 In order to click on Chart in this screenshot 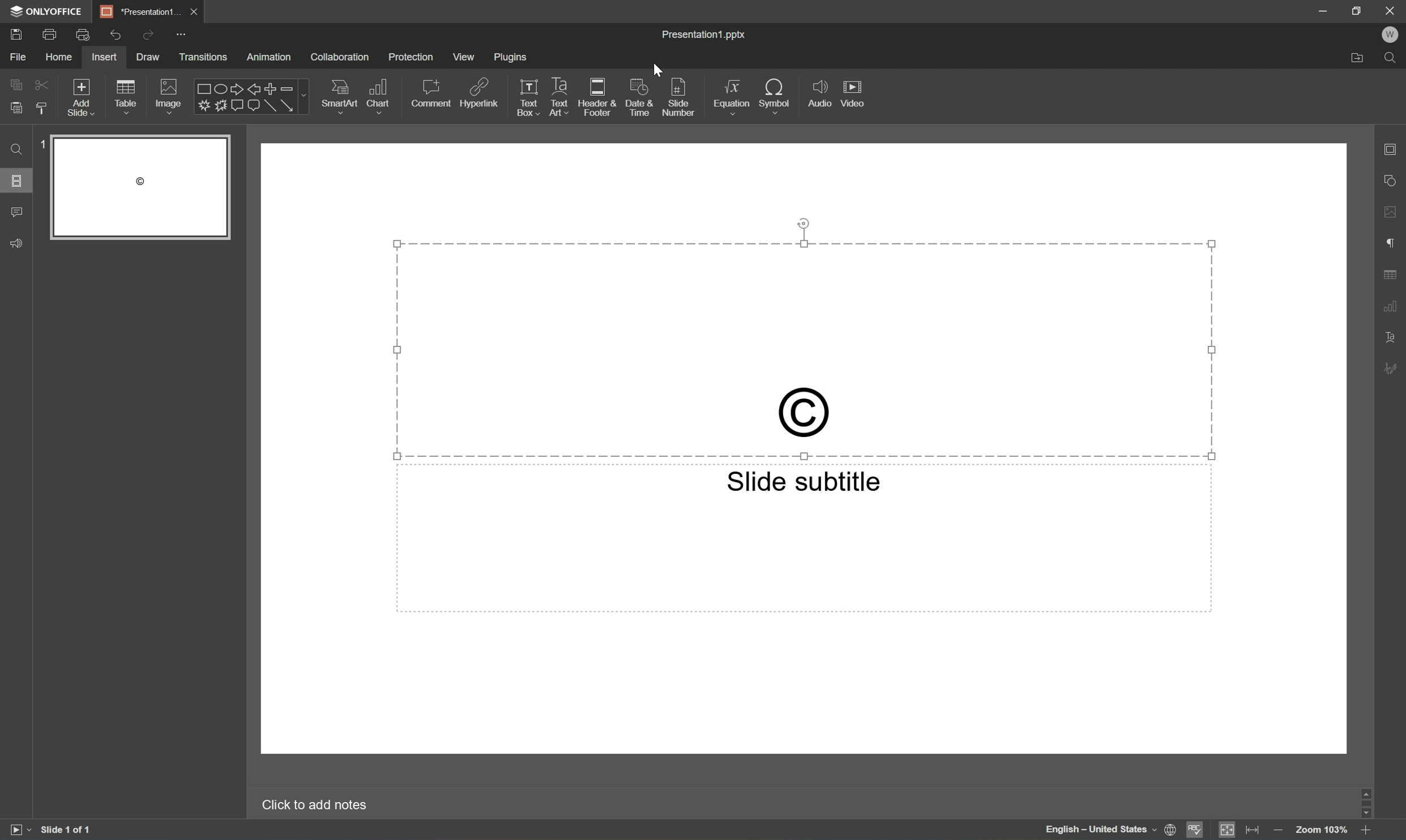, I will do `click(381, 92)`.